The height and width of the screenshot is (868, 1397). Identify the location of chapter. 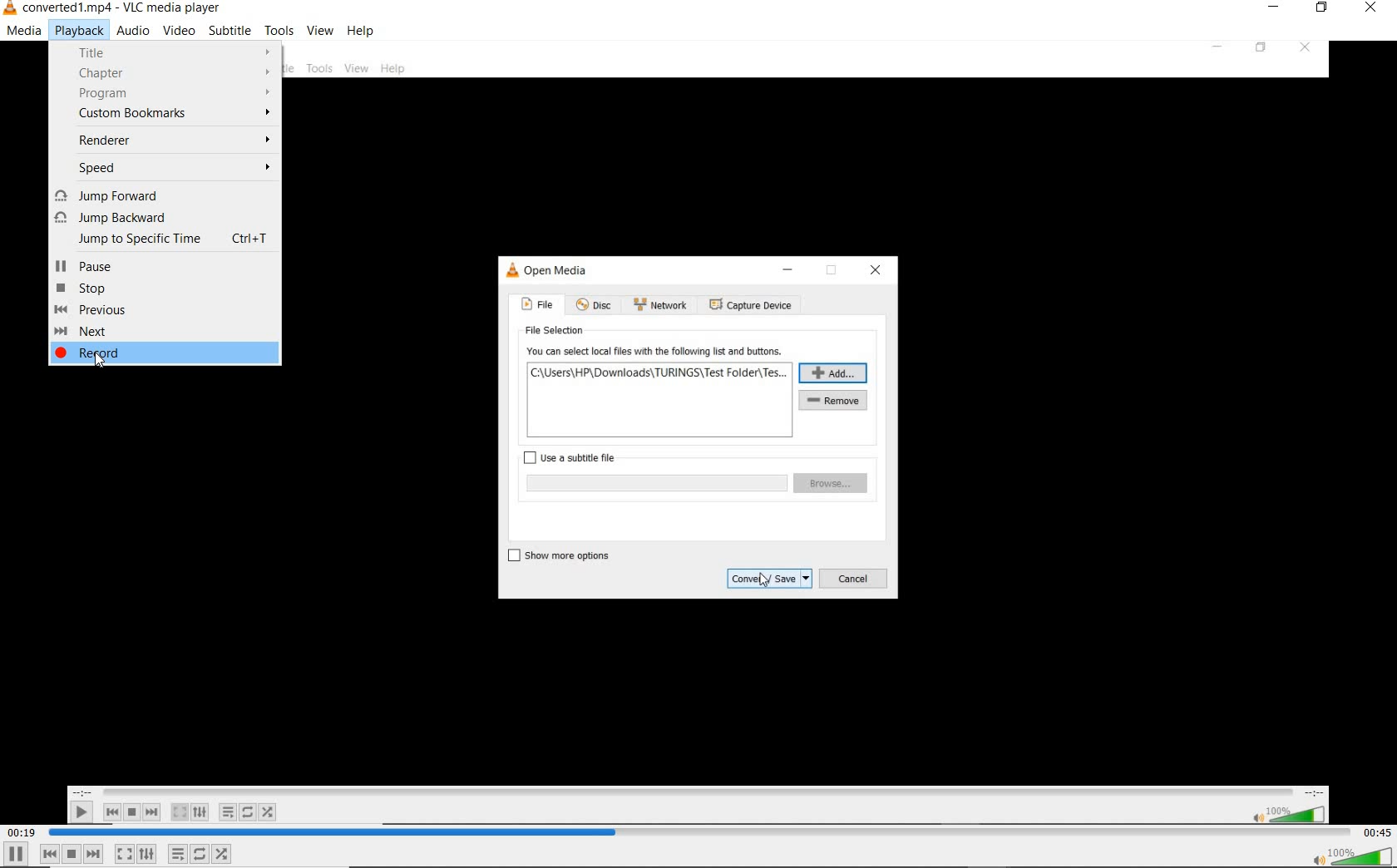
(168, 73).